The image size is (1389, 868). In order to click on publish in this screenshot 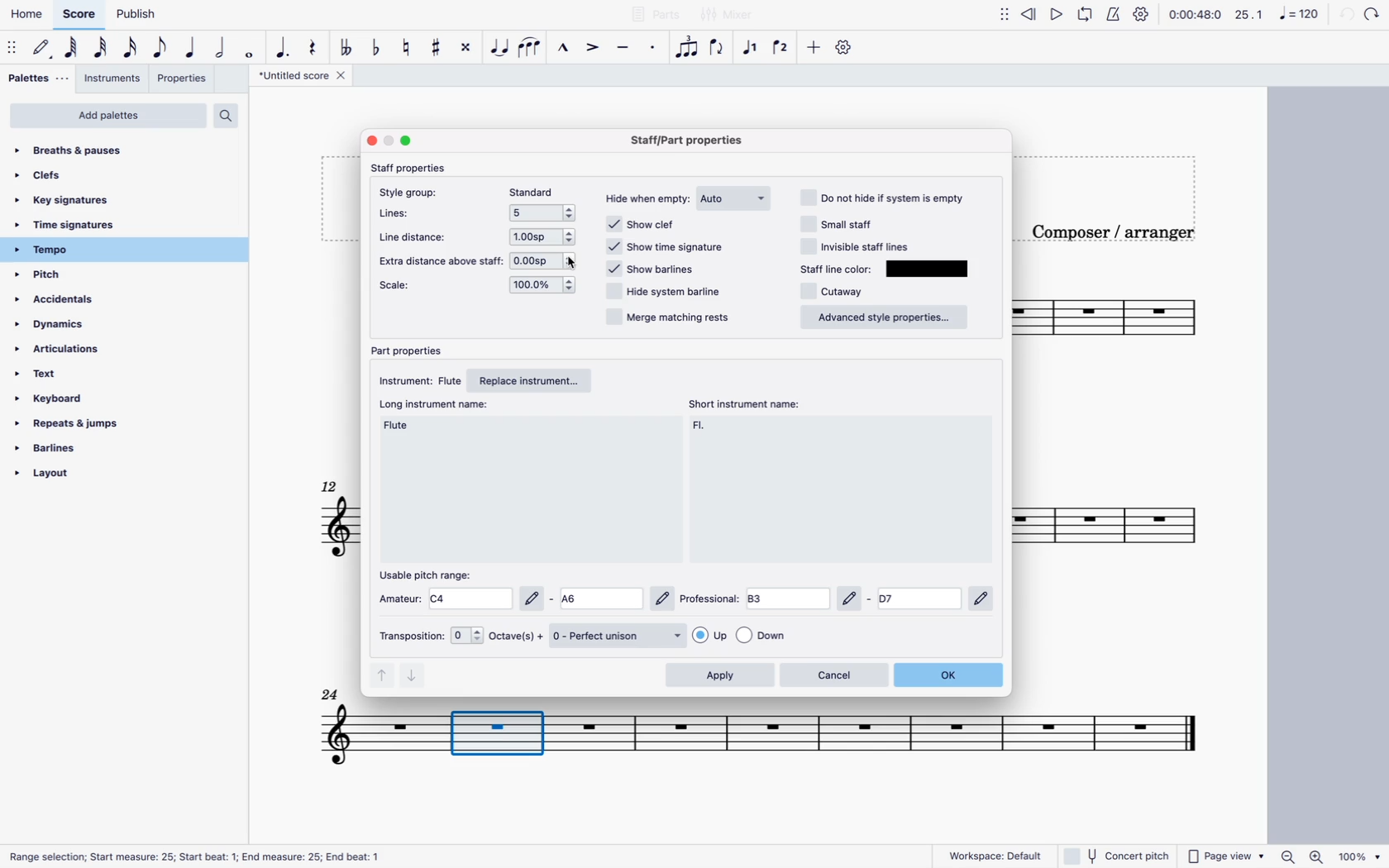, I will do `click(133, 17)`.